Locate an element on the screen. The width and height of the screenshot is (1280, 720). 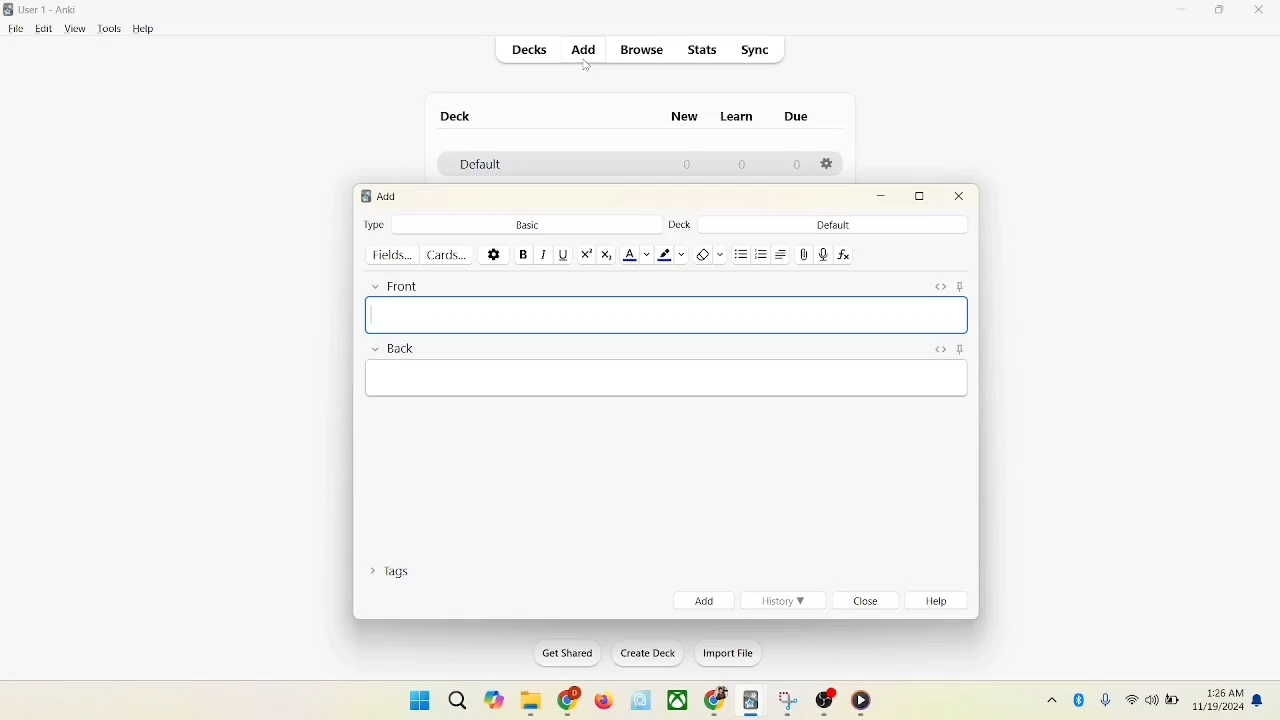
sticky is located at coordinates (964, 286).